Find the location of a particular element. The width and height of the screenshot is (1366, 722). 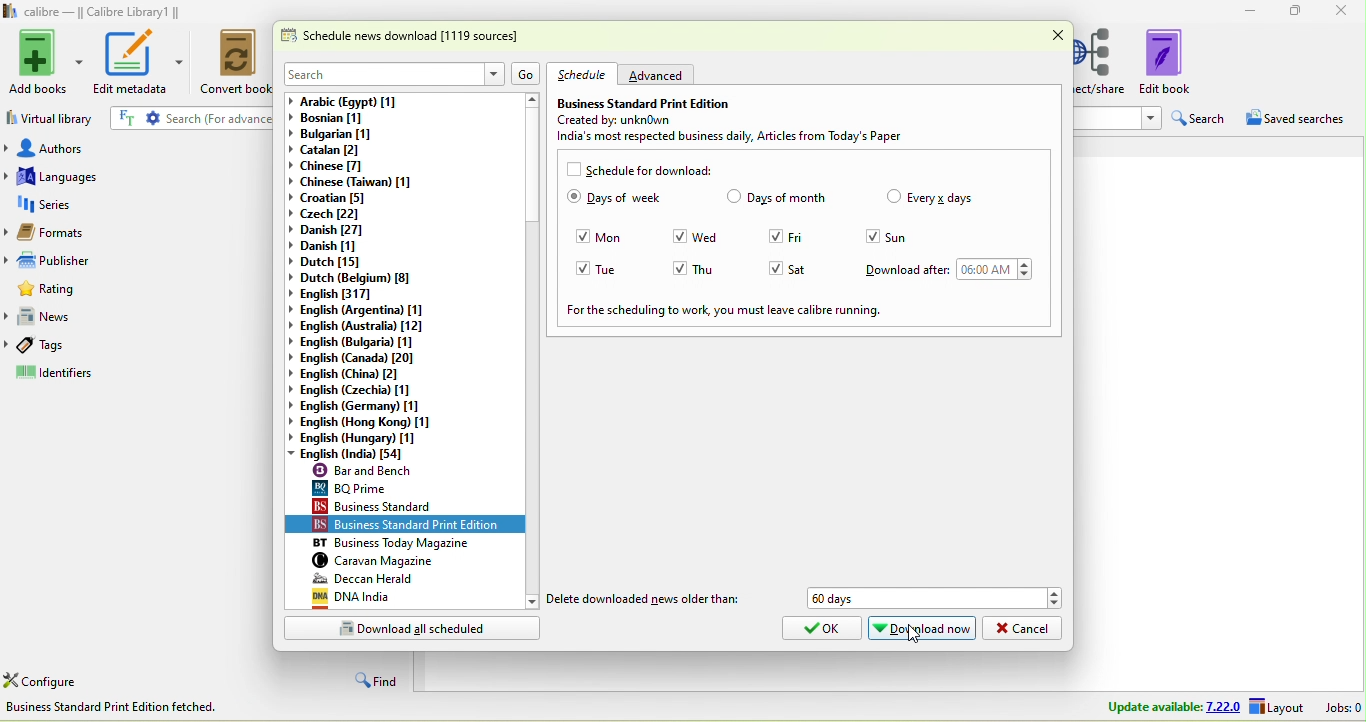

delete downloaded news older than is located at coordinates (645, 600).